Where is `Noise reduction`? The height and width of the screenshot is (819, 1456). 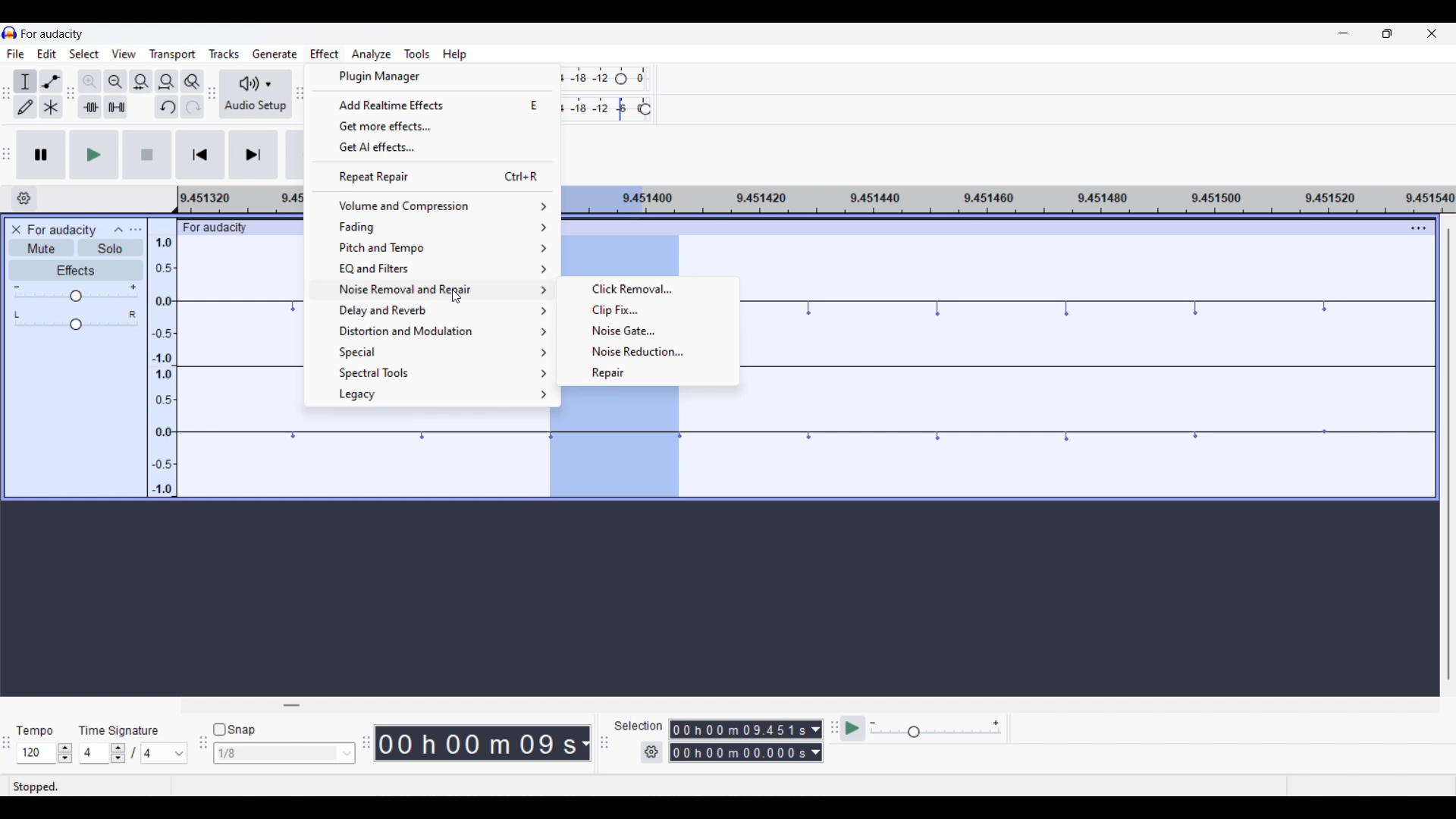 Noise reduction is located at coordinates (647, 351).